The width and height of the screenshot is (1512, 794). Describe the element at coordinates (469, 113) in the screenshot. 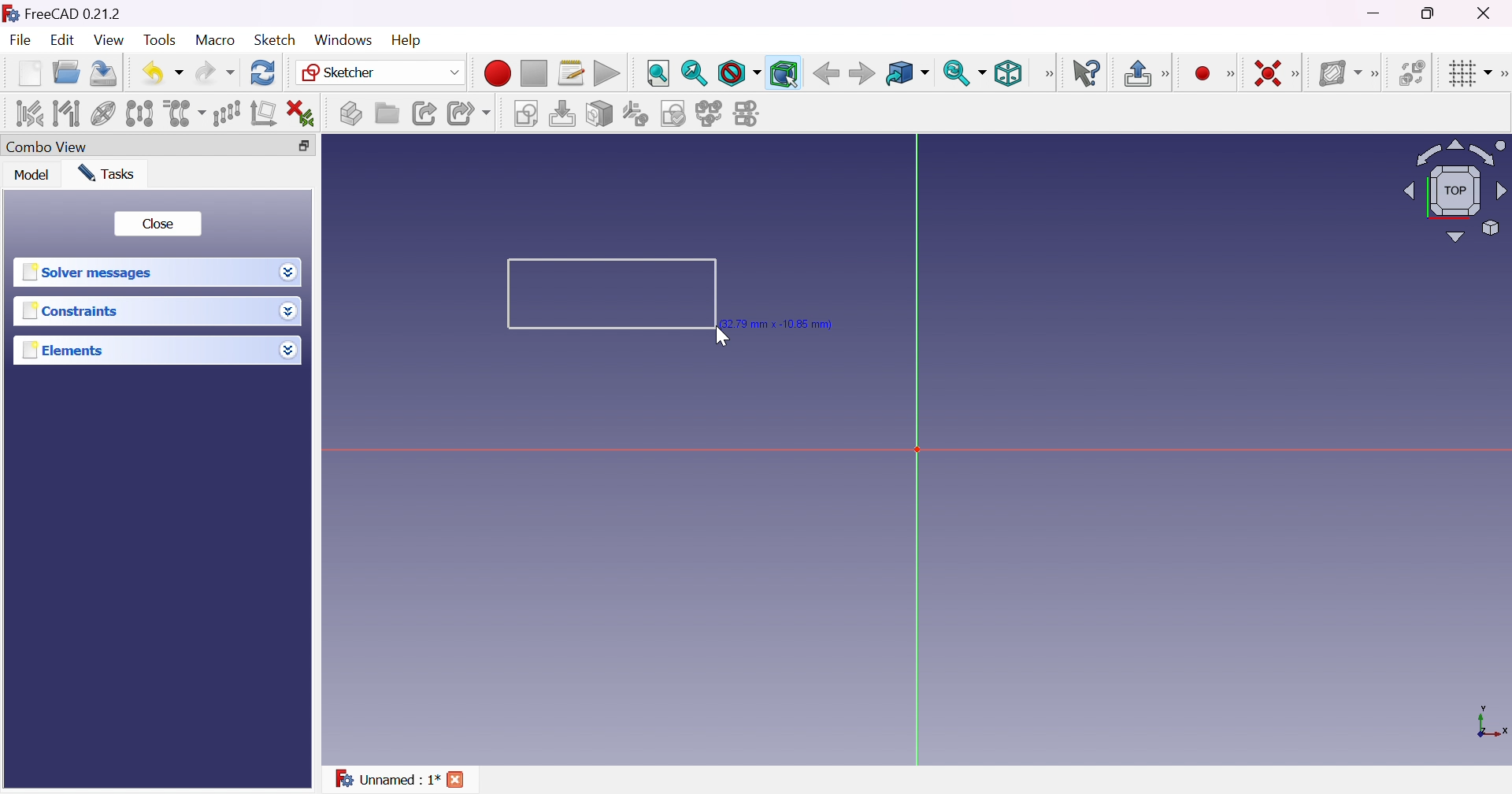

I see `Make sub-link` at that location.